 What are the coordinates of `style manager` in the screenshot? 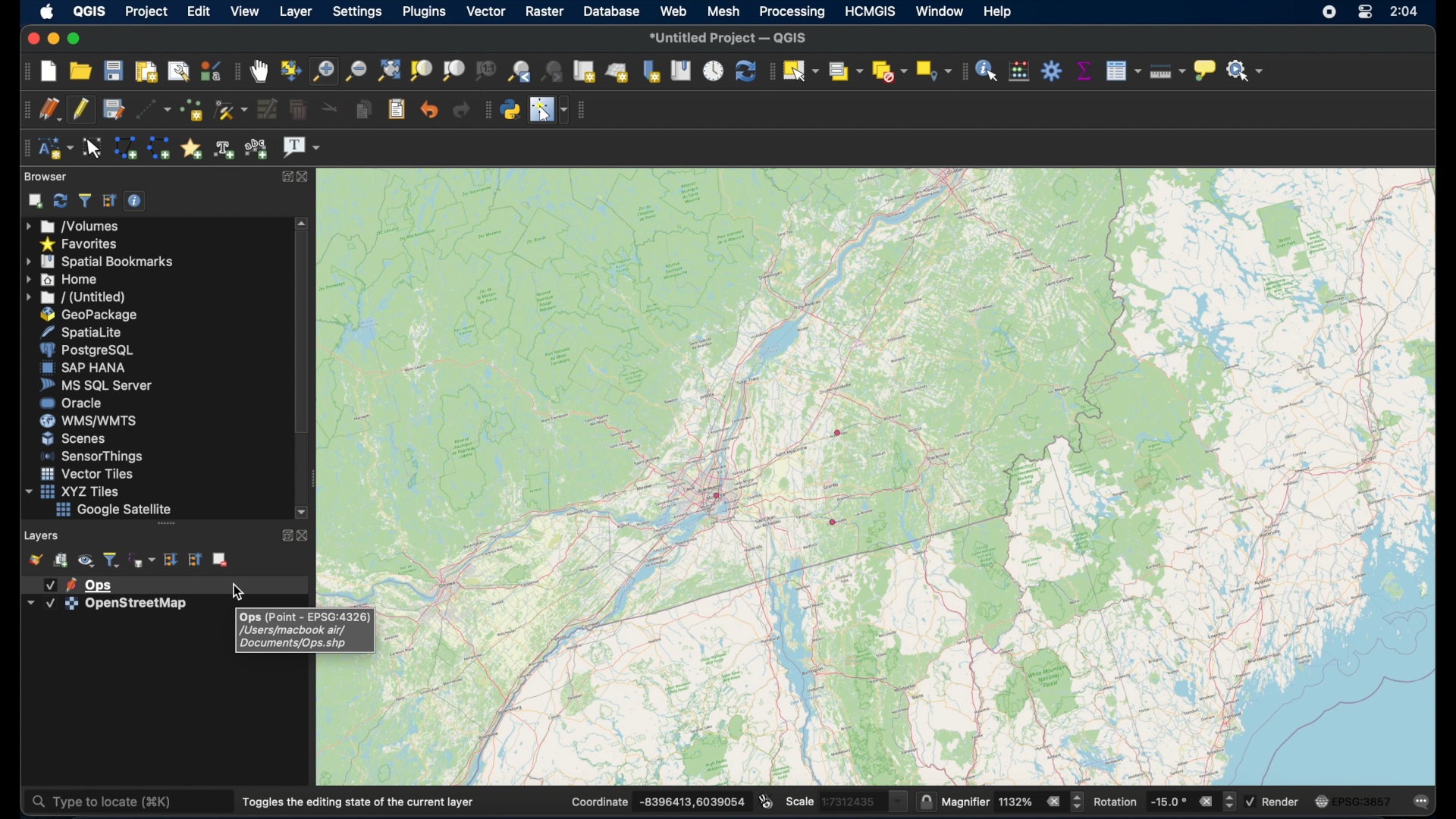 It's located at (210, 71).